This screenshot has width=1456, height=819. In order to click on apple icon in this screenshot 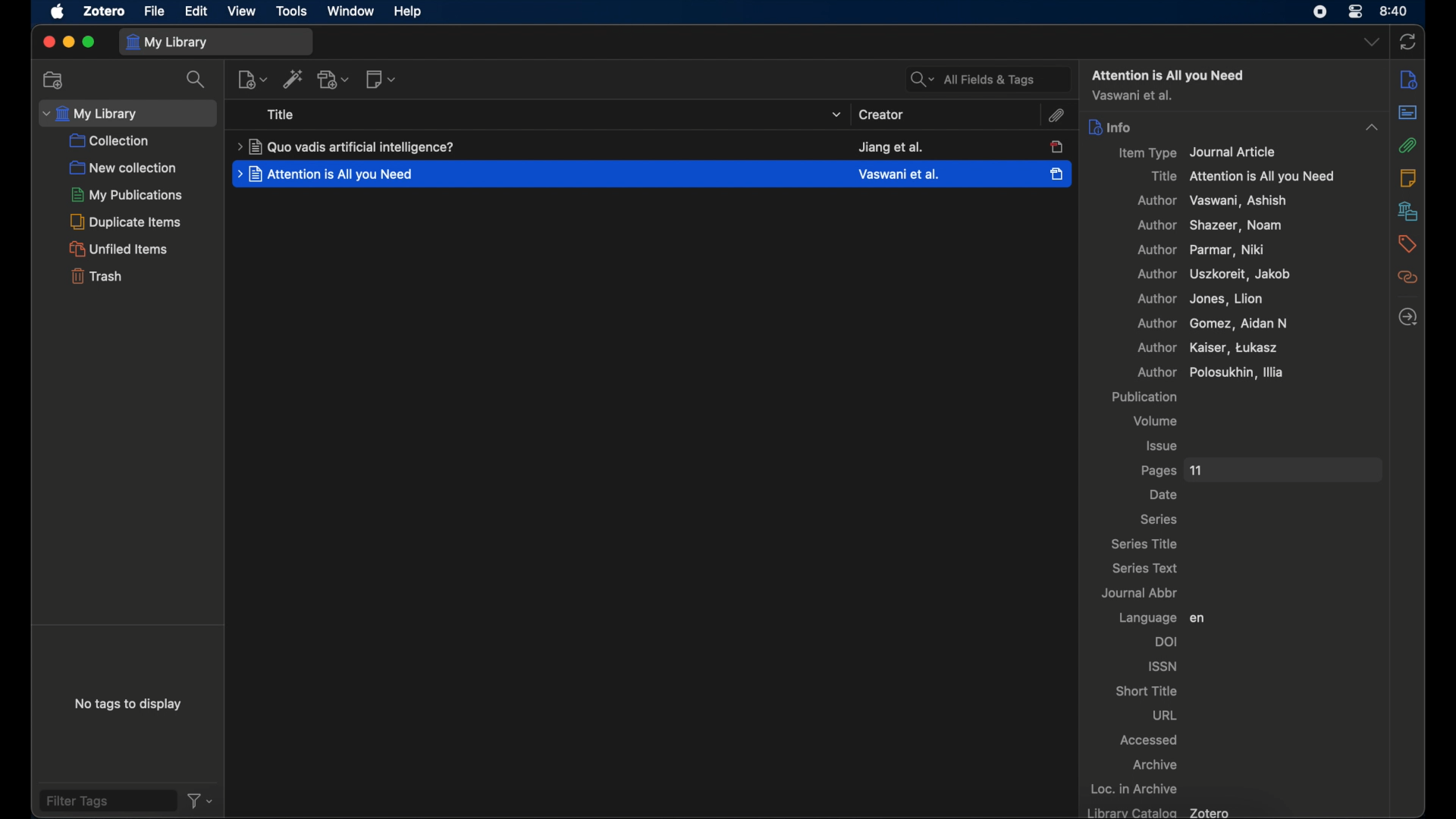, I will do `click(56, 12)`.